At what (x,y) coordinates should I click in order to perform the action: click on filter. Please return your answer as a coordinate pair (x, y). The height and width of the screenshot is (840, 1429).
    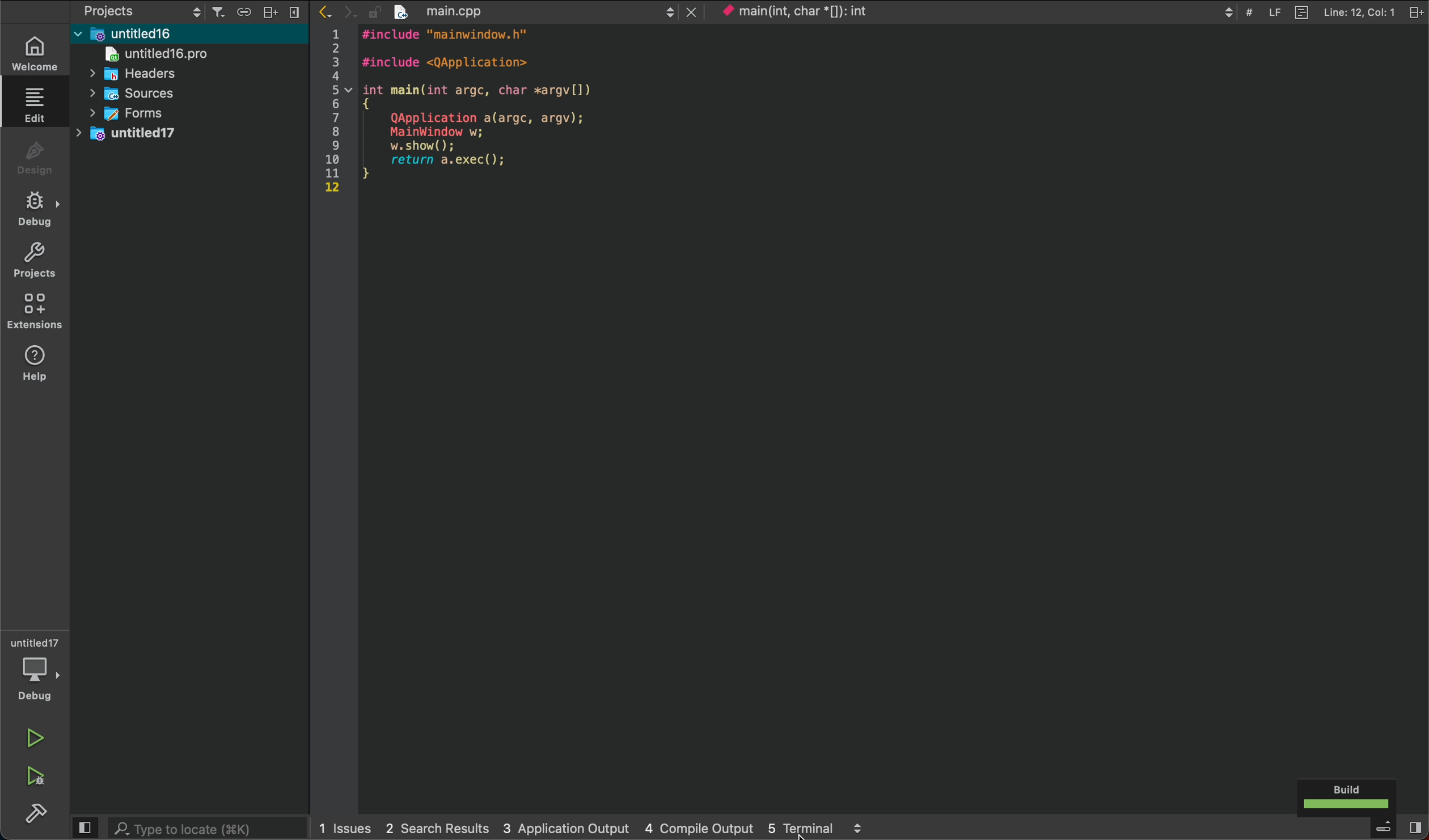
    Looking at the image, I should click on (219, 12).